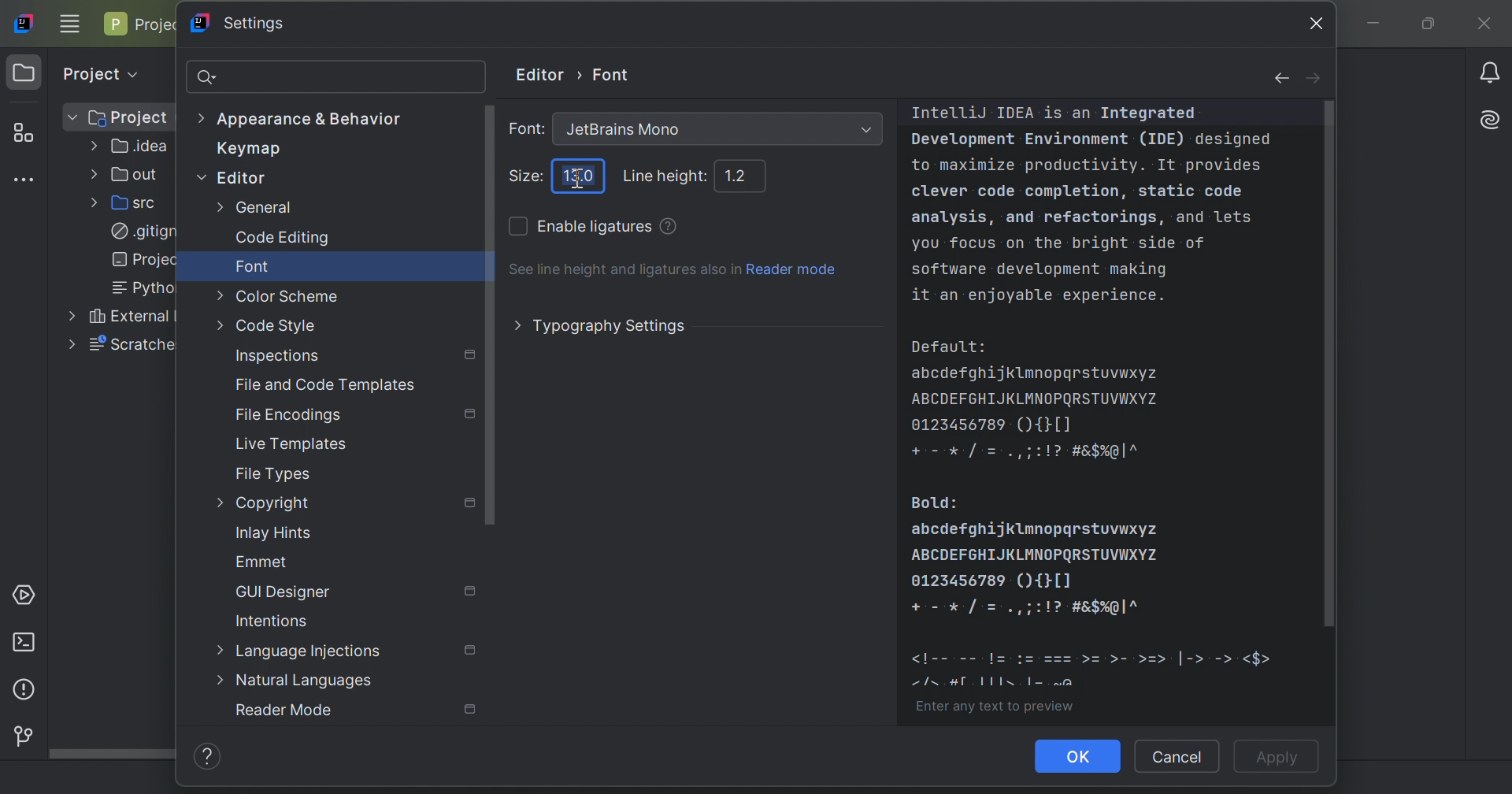 The image size is (1512, 794). What do you see at coordinates (20, 734) in the screenshot?
I see `Version control` at bounding box center [20, 734].